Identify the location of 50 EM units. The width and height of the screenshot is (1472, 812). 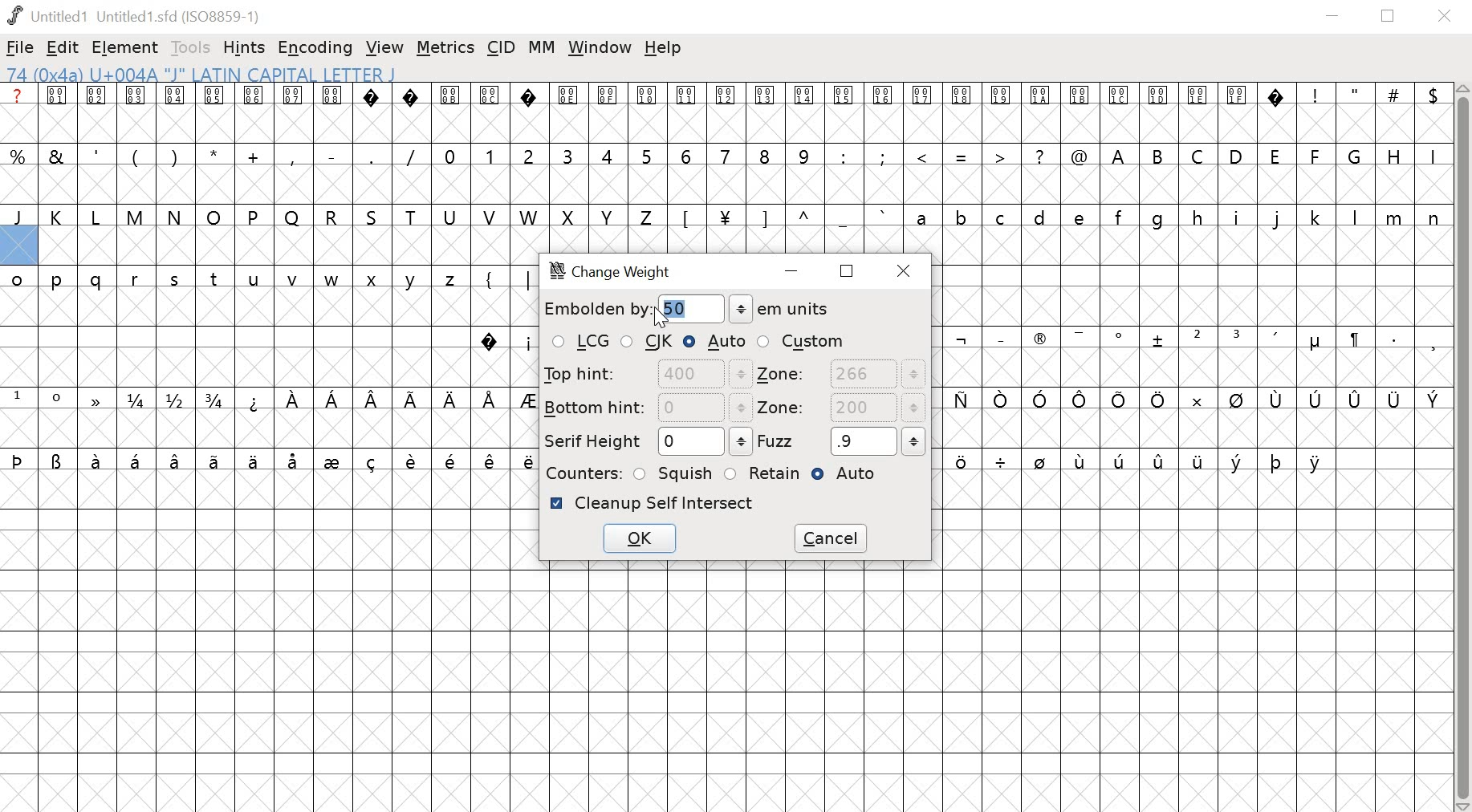
(677, 309).